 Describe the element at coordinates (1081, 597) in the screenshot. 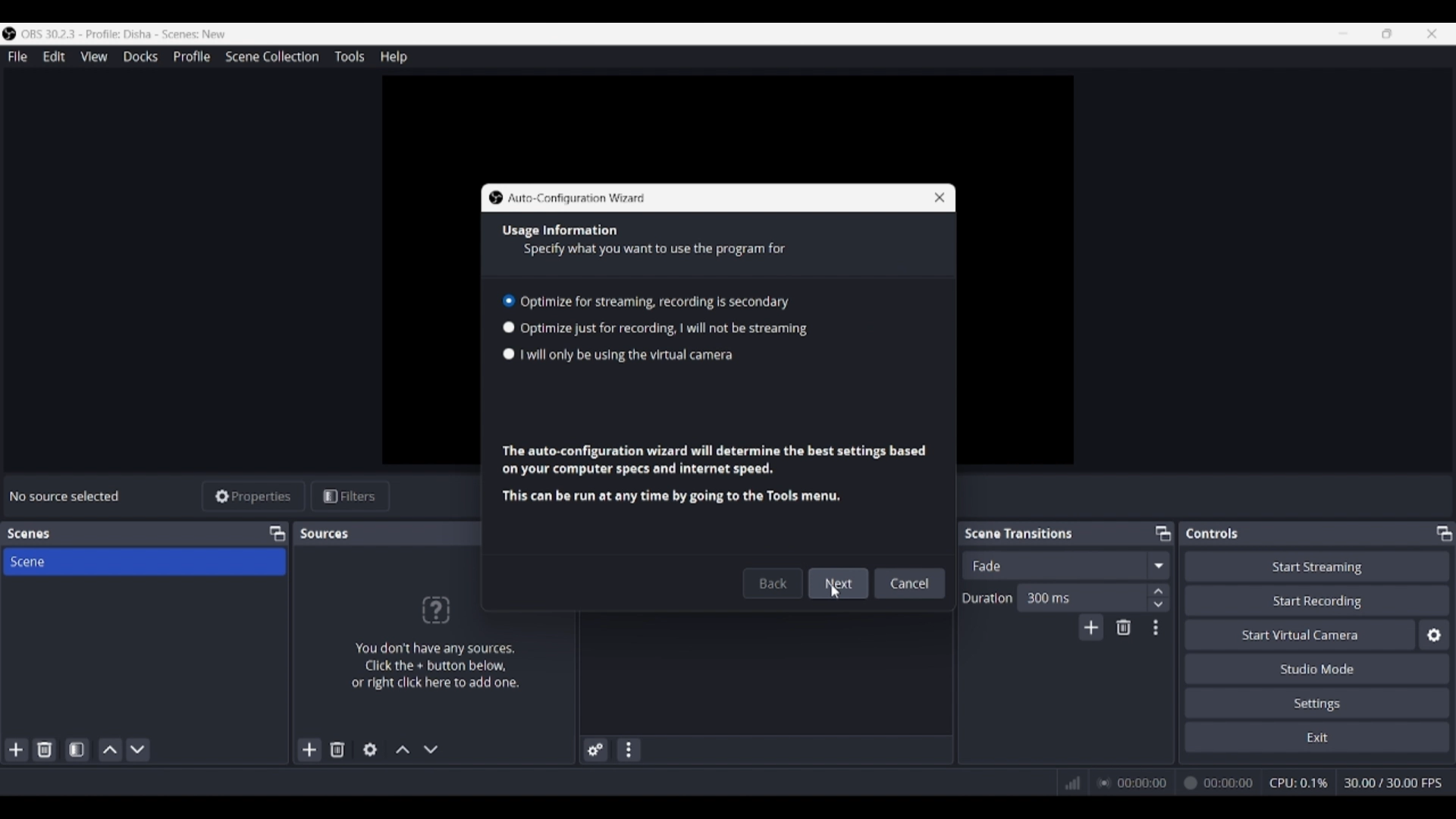

I see `Input duration` at that location.